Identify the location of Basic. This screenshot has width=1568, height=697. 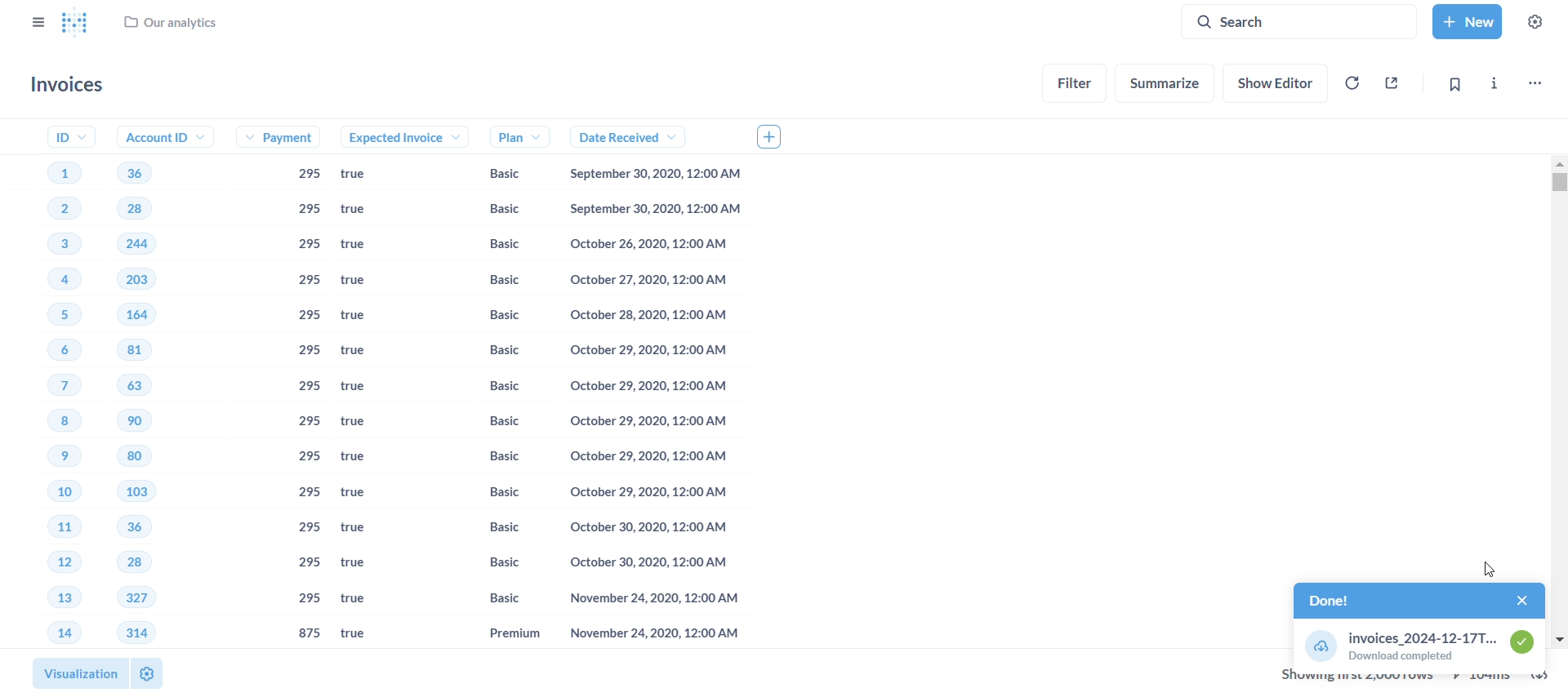
(491, 245).